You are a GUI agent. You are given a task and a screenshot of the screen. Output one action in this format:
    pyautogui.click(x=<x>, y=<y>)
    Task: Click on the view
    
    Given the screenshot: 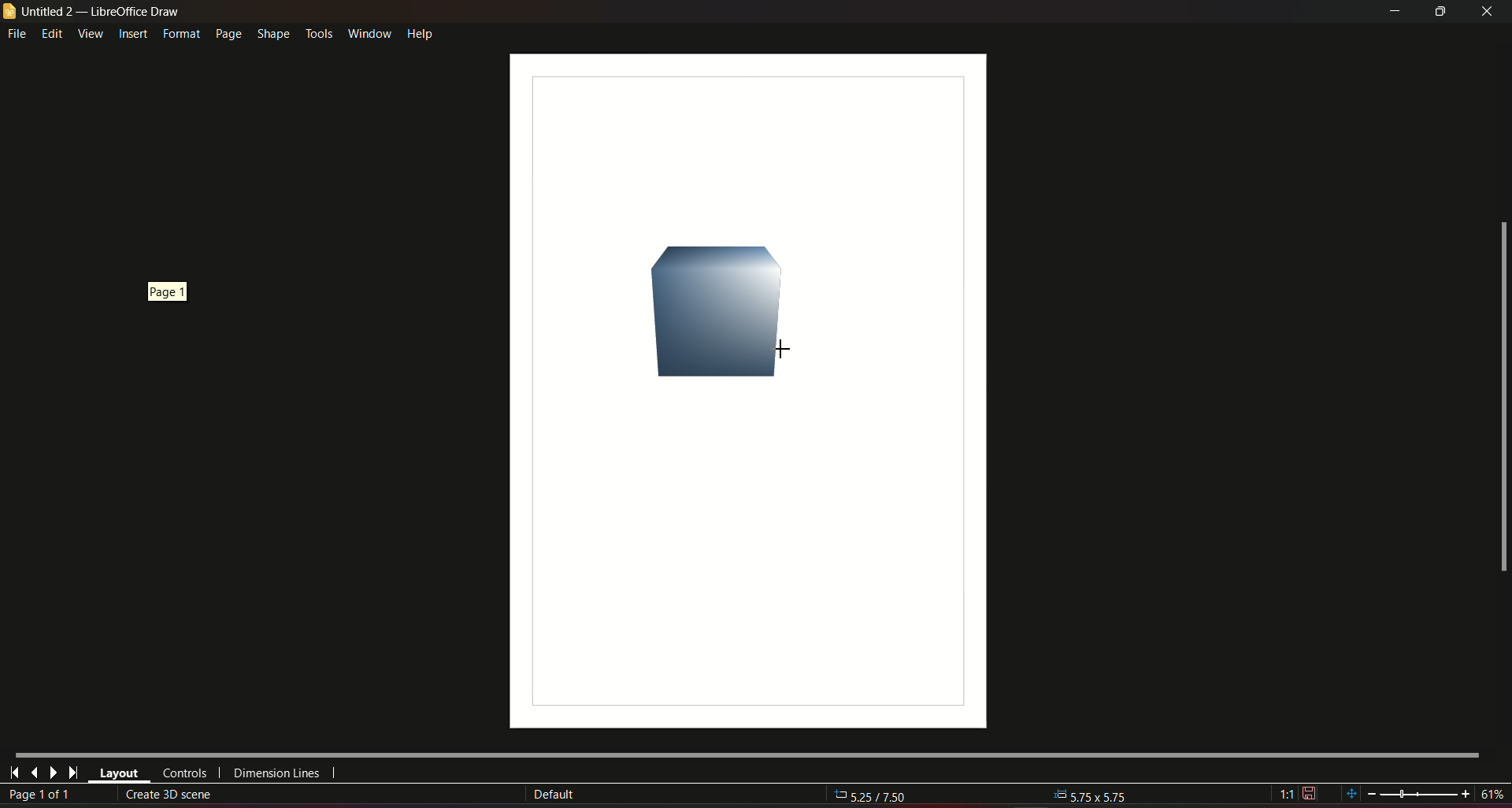 What is the action you would take?
    pyautogui.click(x=90, y=33)
    